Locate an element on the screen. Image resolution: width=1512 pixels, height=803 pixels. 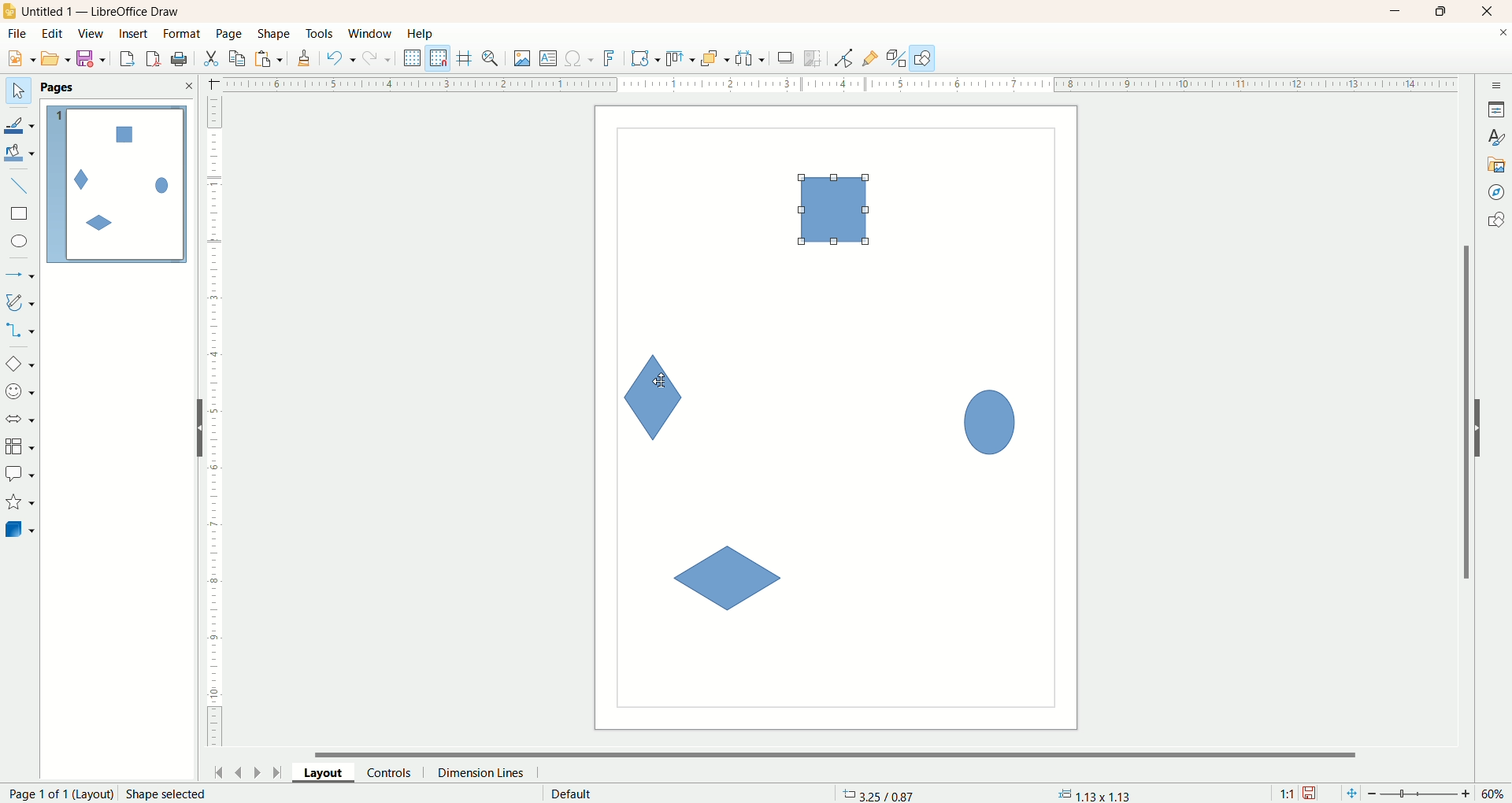
insert line is located at coordinates (22, 187).